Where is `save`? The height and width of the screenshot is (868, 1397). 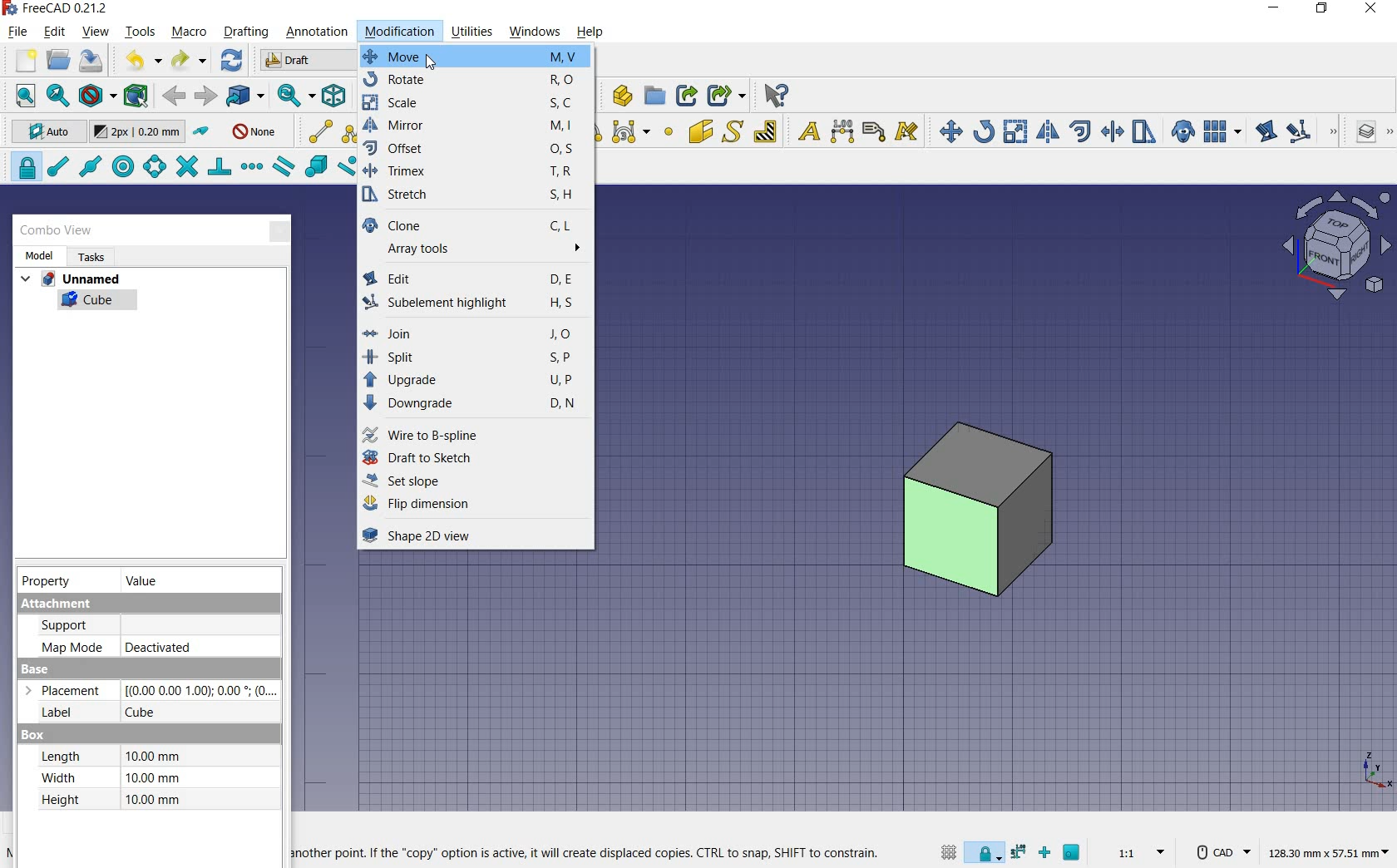 save is located at coordinates (91, 62).